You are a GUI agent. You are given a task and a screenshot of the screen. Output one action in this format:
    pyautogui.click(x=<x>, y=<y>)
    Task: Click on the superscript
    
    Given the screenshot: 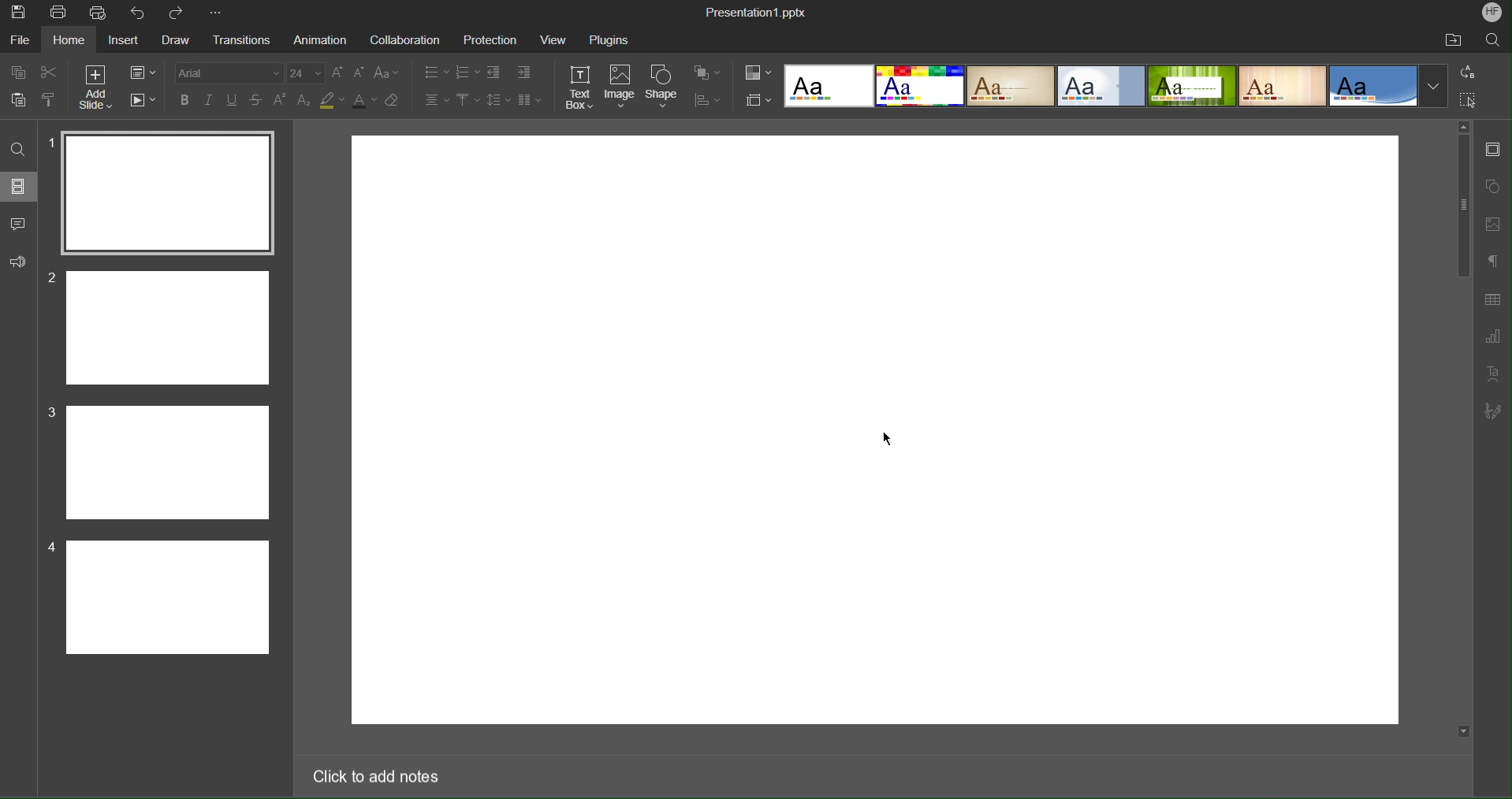 What is the action you would take?
    pyautogui.click(x=281, y=101)
    